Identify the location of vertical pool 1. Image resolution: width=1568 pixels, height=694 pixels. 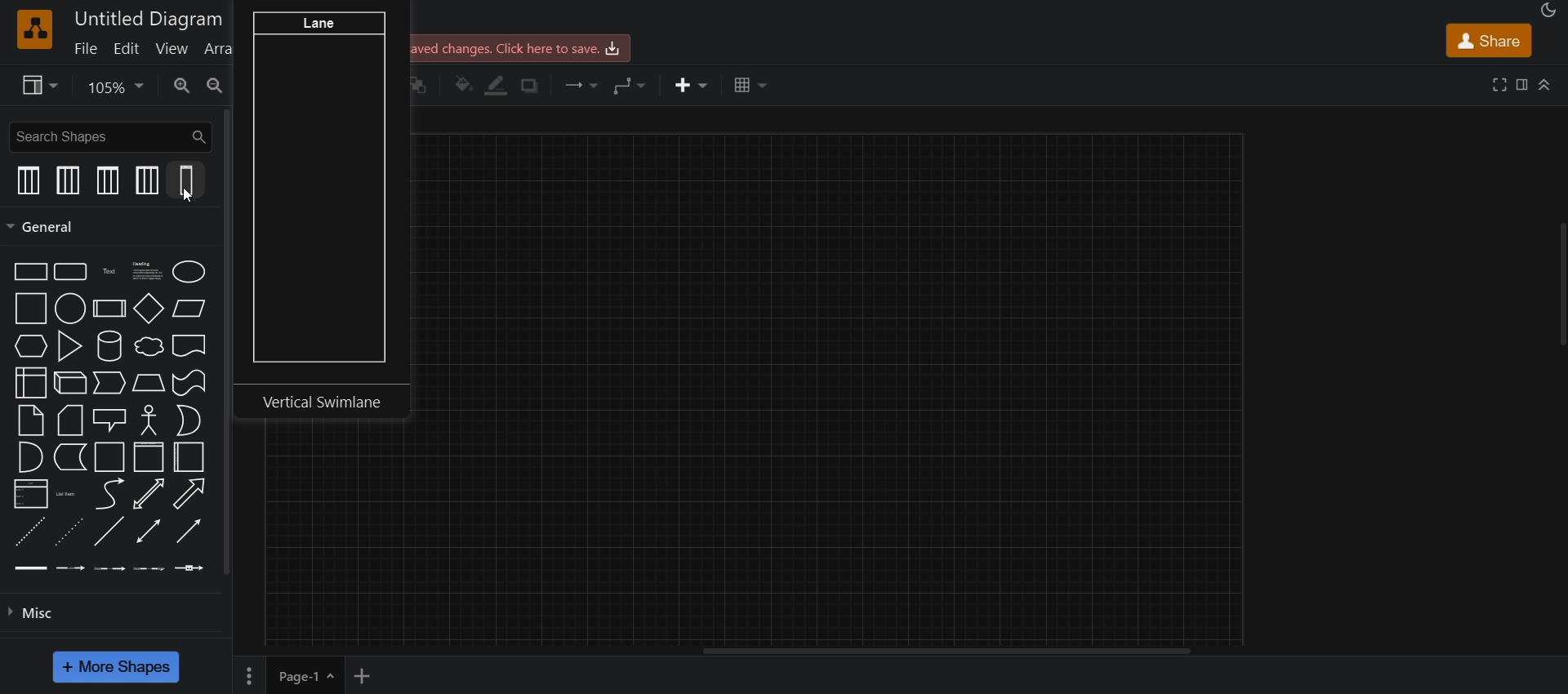
(28, 180).